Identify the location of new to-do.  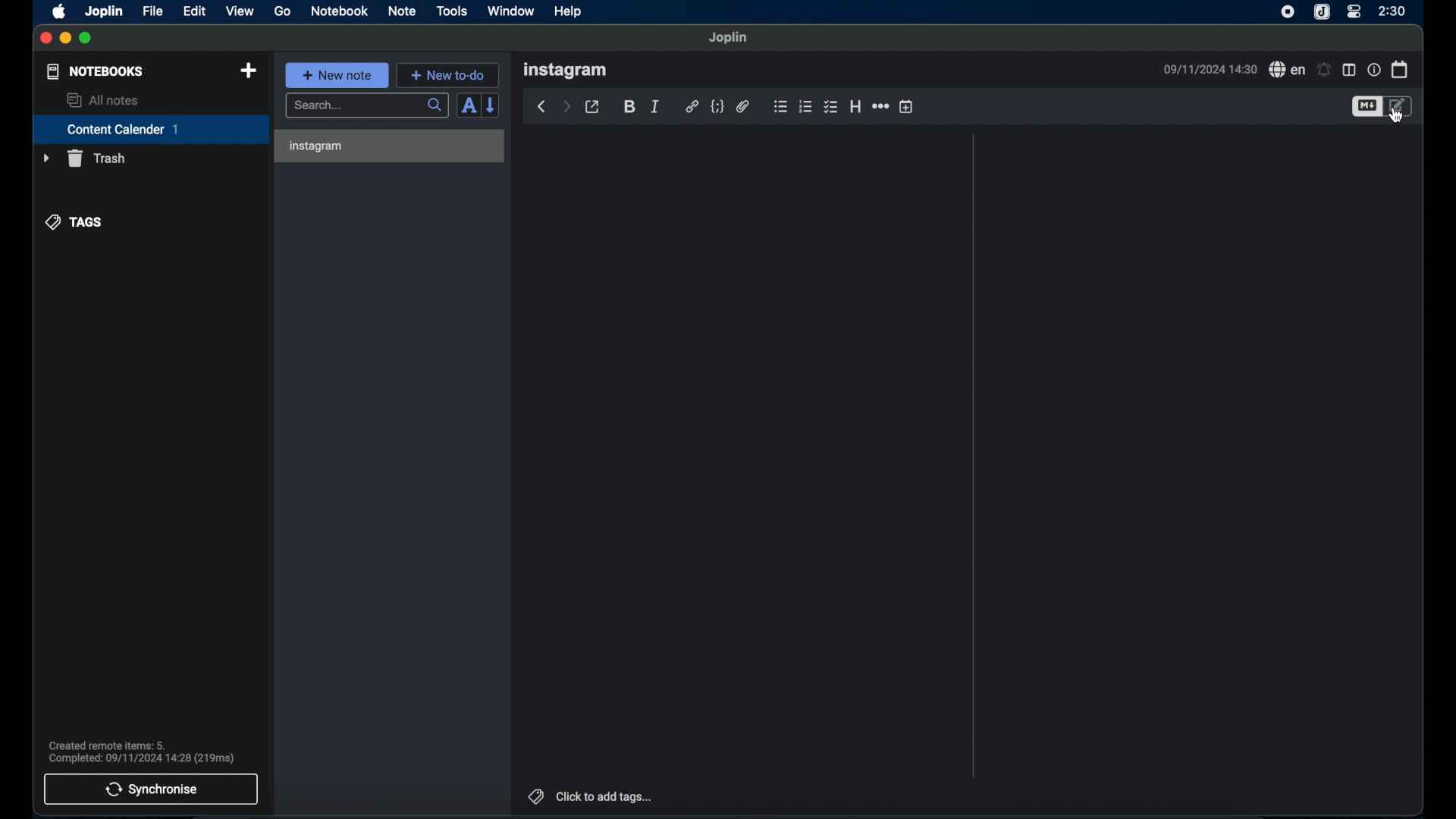
(447, 75).